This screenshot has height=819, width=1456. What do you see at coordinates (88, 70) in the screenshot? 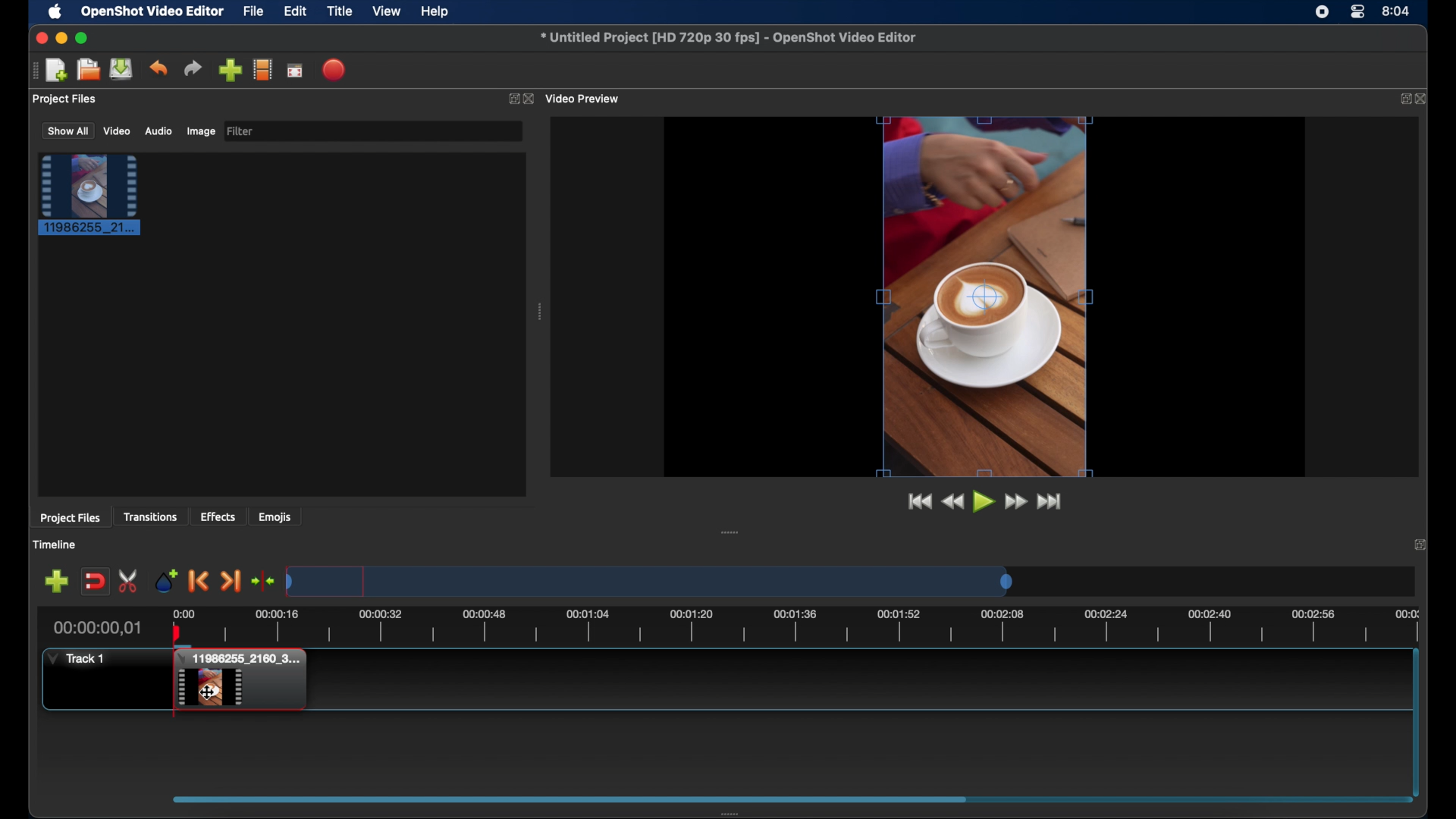
I see `open project` at bounding box center [88, 70].